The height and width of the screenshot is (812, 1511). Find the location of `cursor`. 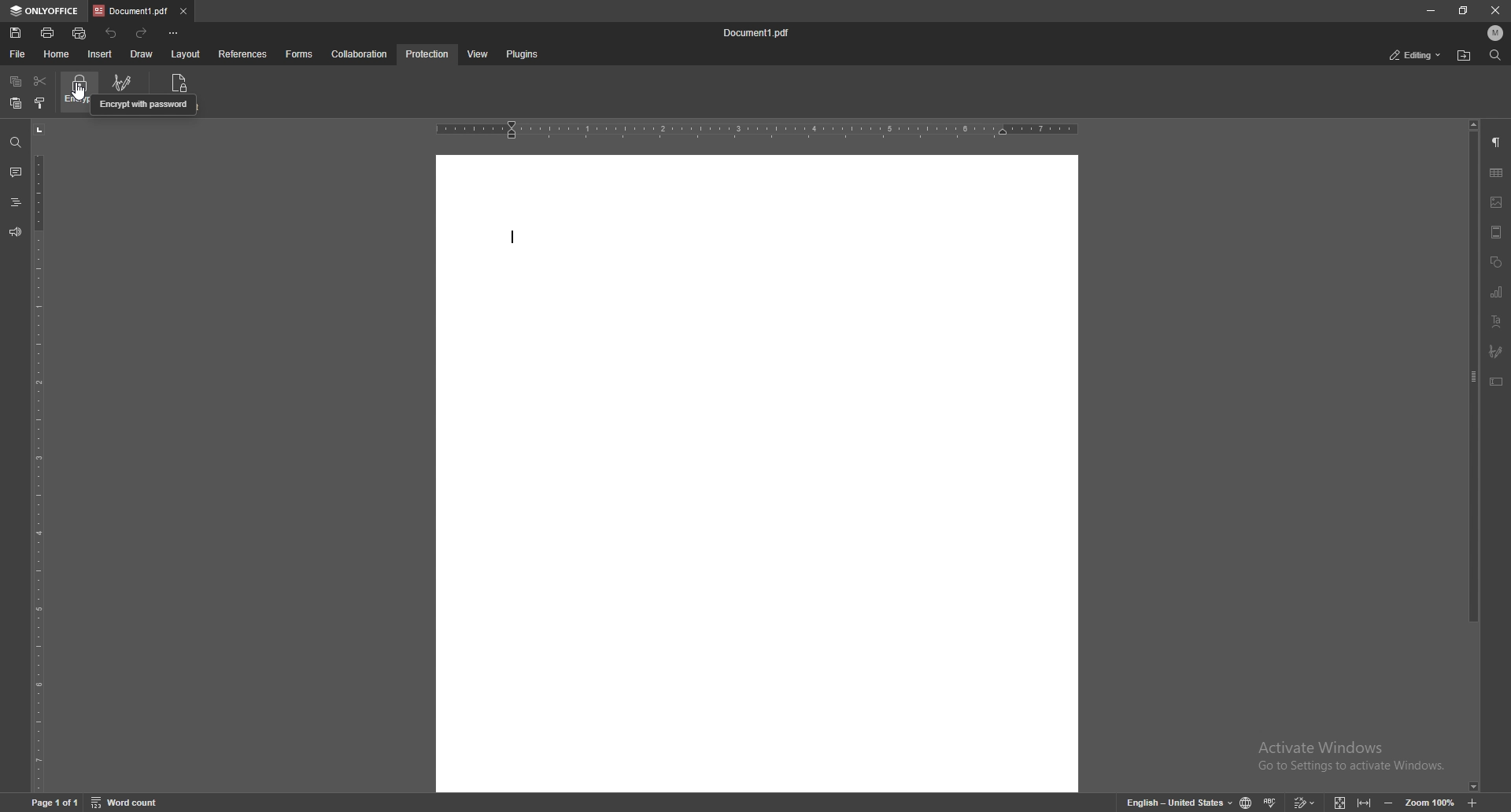

cursor is located at coordinates (83, 94).